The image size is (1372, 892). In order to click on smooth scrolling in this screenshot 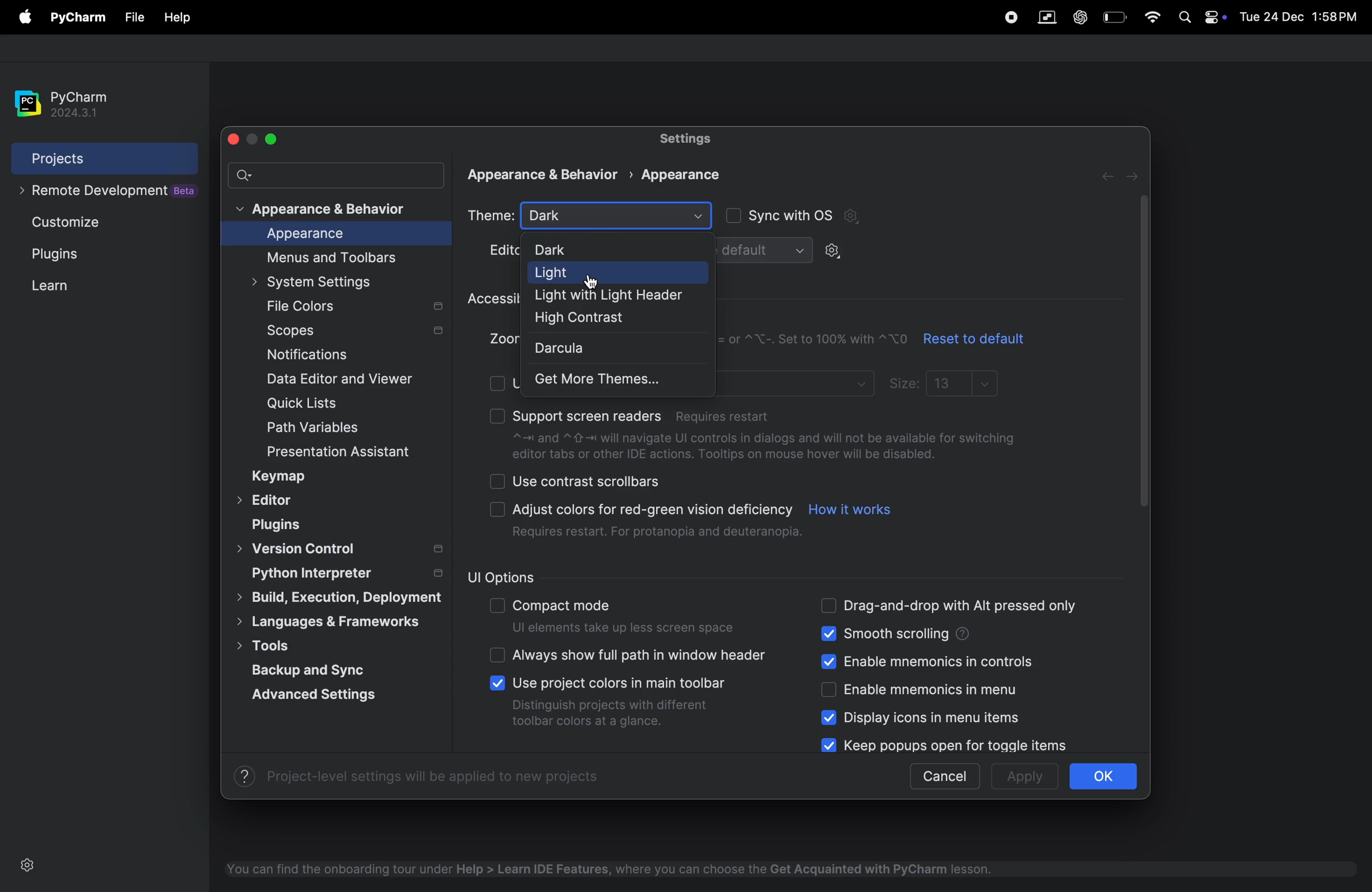, I will do `click(910, 634)`.